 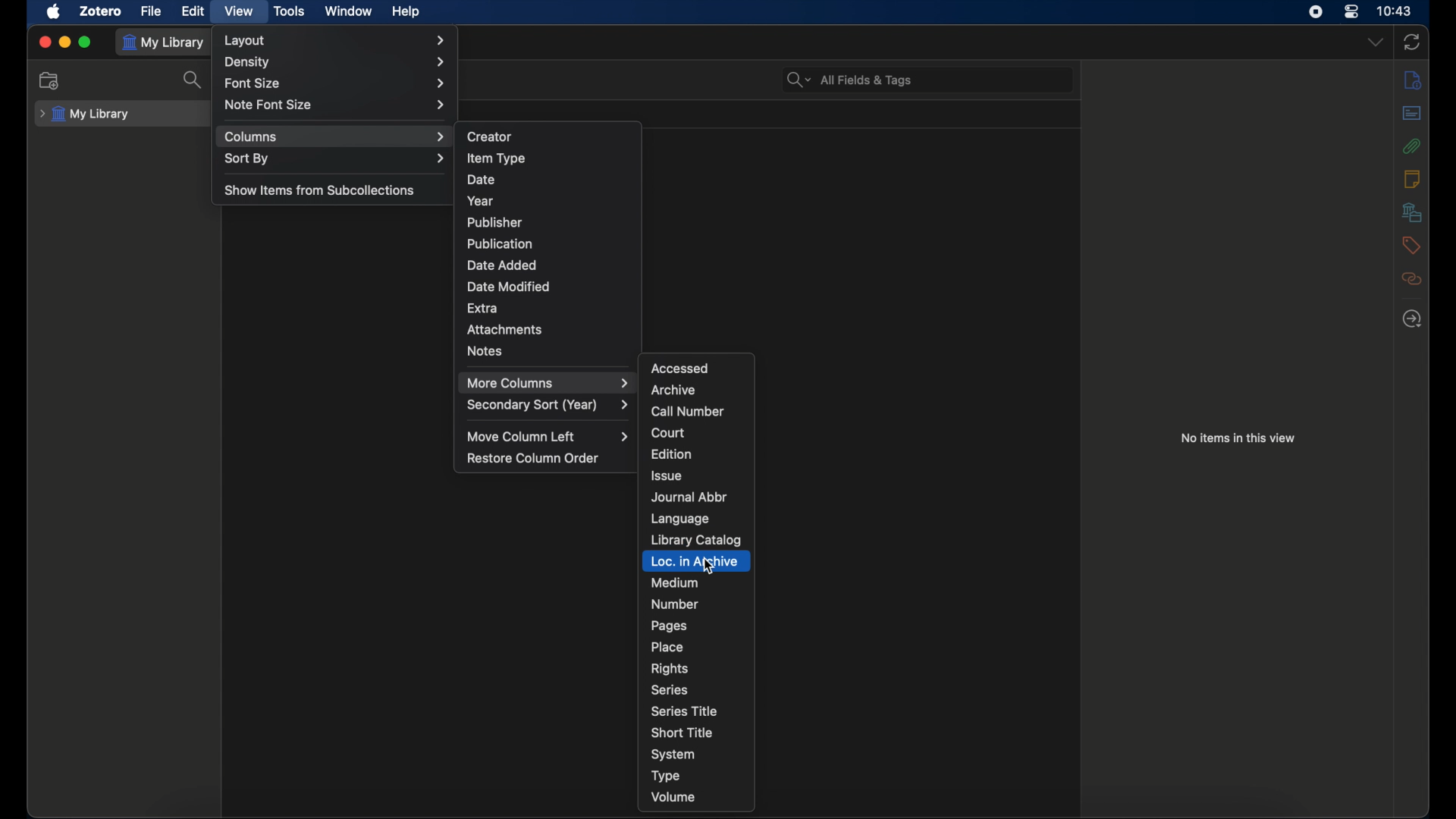 What do you see at coordinates (50, 80) in the screenshot?
I see `new collections` at bounding box center [50, 80].